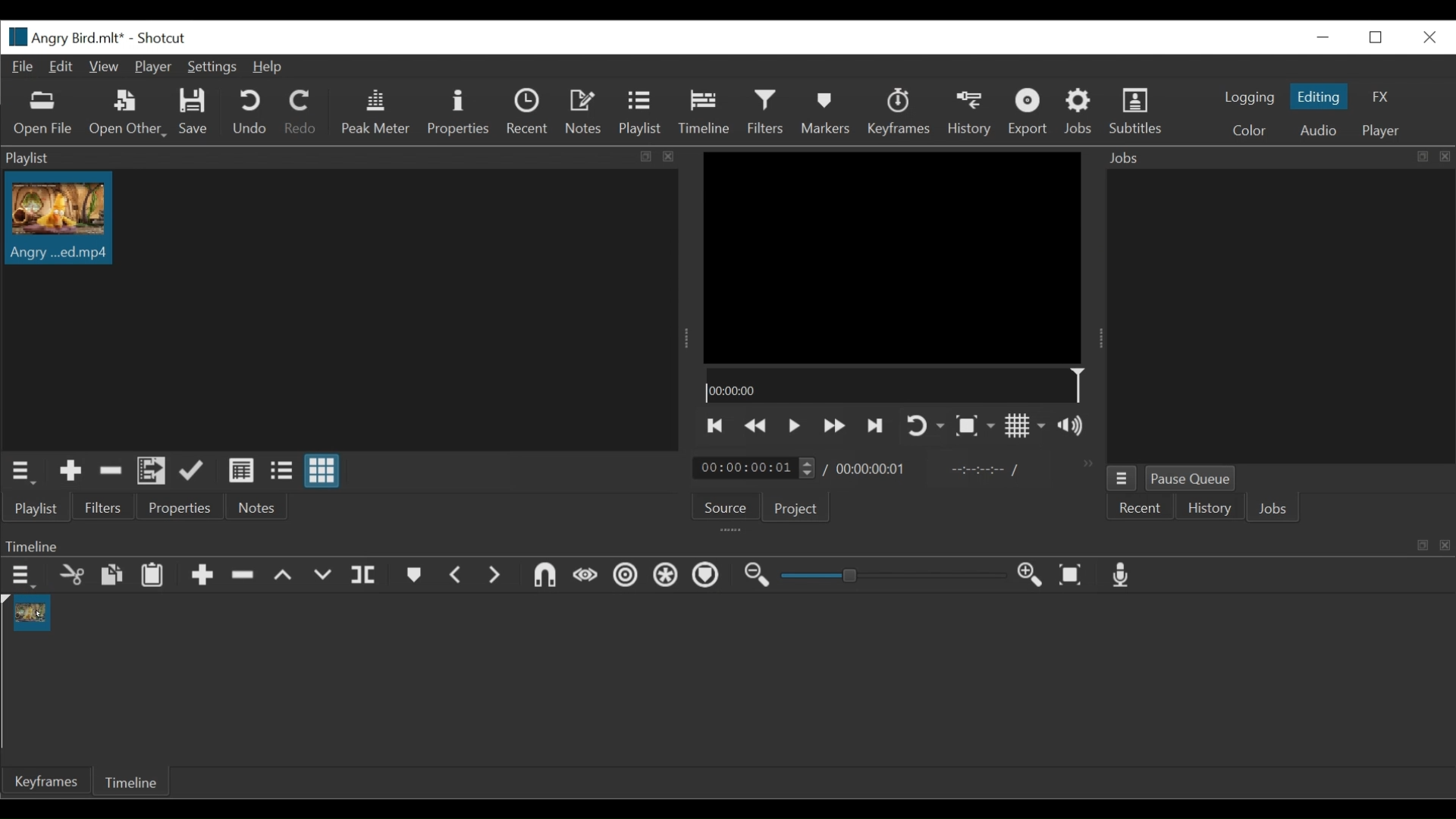 The height and width of the screenshot is (819, 1456). Describe the element at coordinates (240, 470) in the screenshot. I see `View as Detail` at that location.